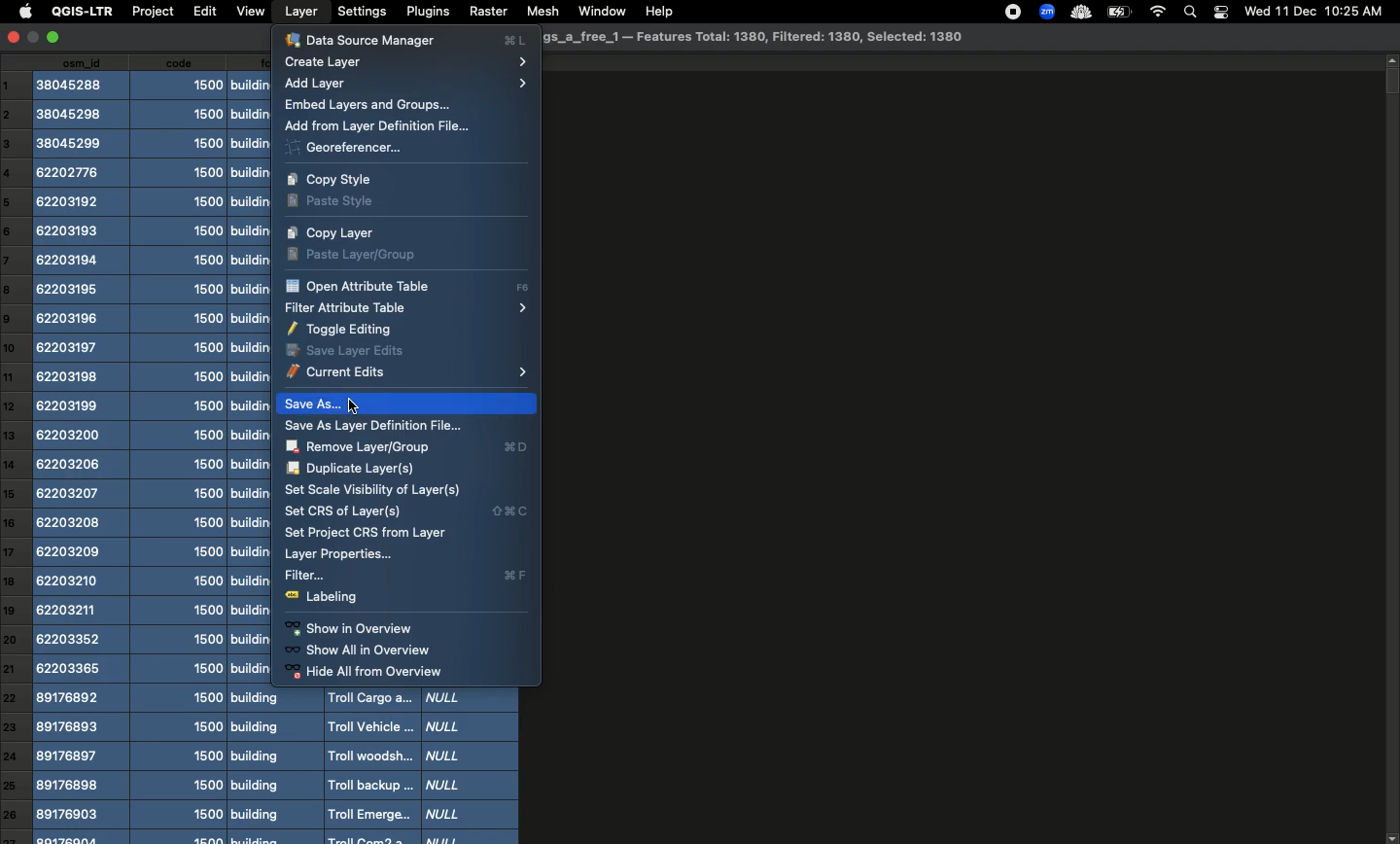 The width and height of the screenshot is (1400, 844). Describe the element at coordinates (375, 490) in the screenshot. I see `Set scale visibility of layer` at that location.